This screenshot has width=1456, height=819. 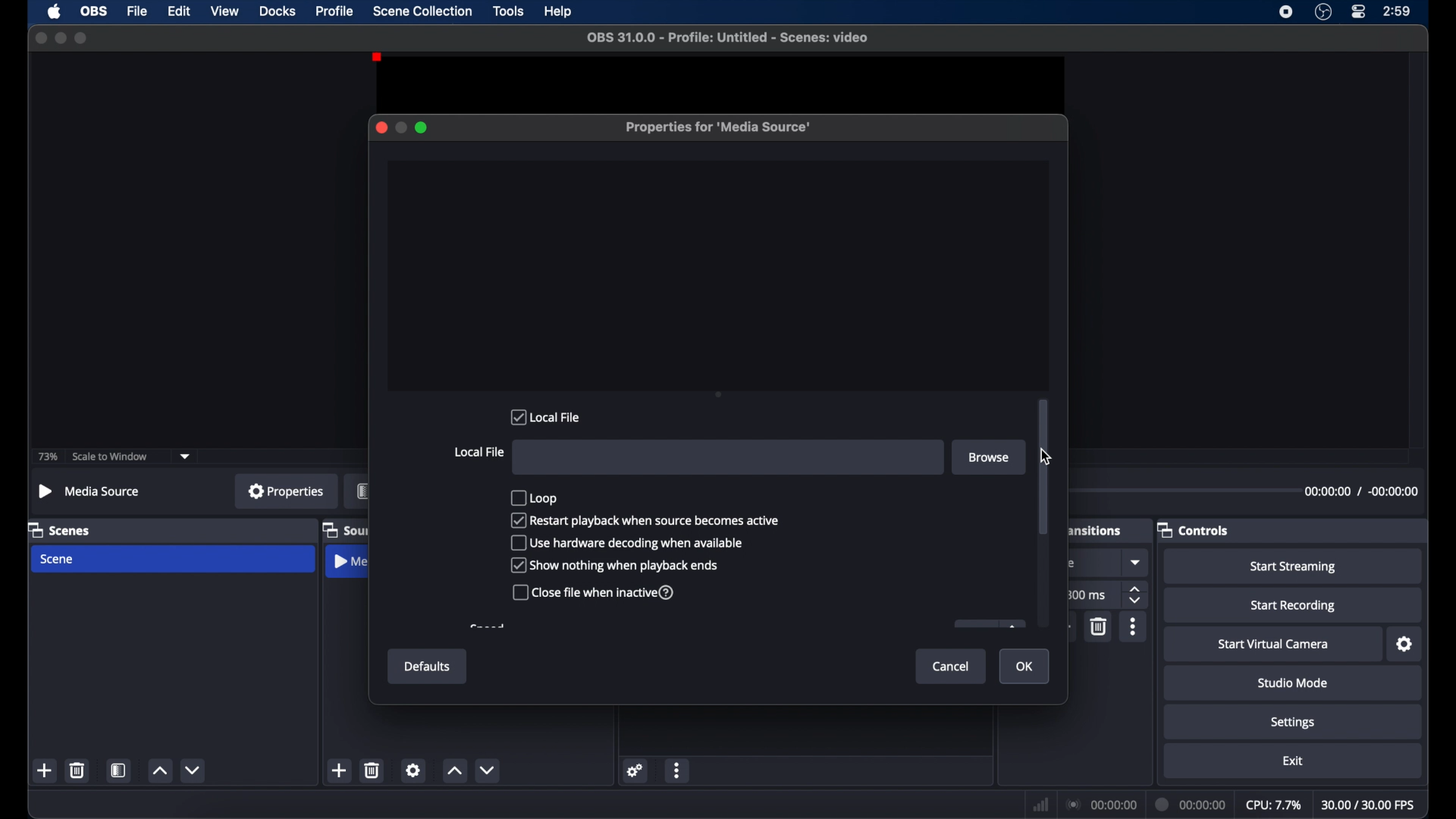 I want to click on add, so click(x=340, y=770).